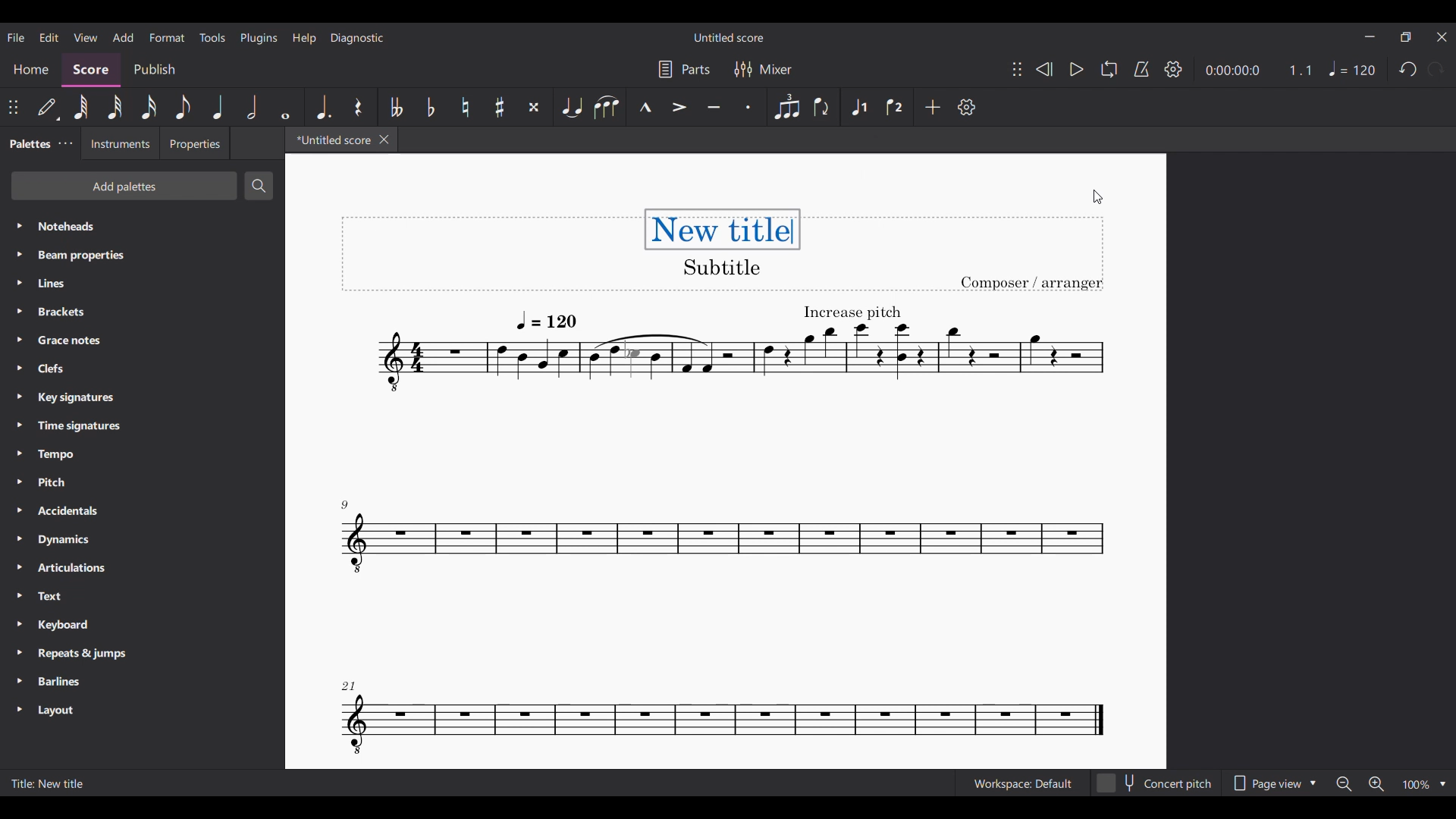  I want to click on Help menu, so click(304, 39).